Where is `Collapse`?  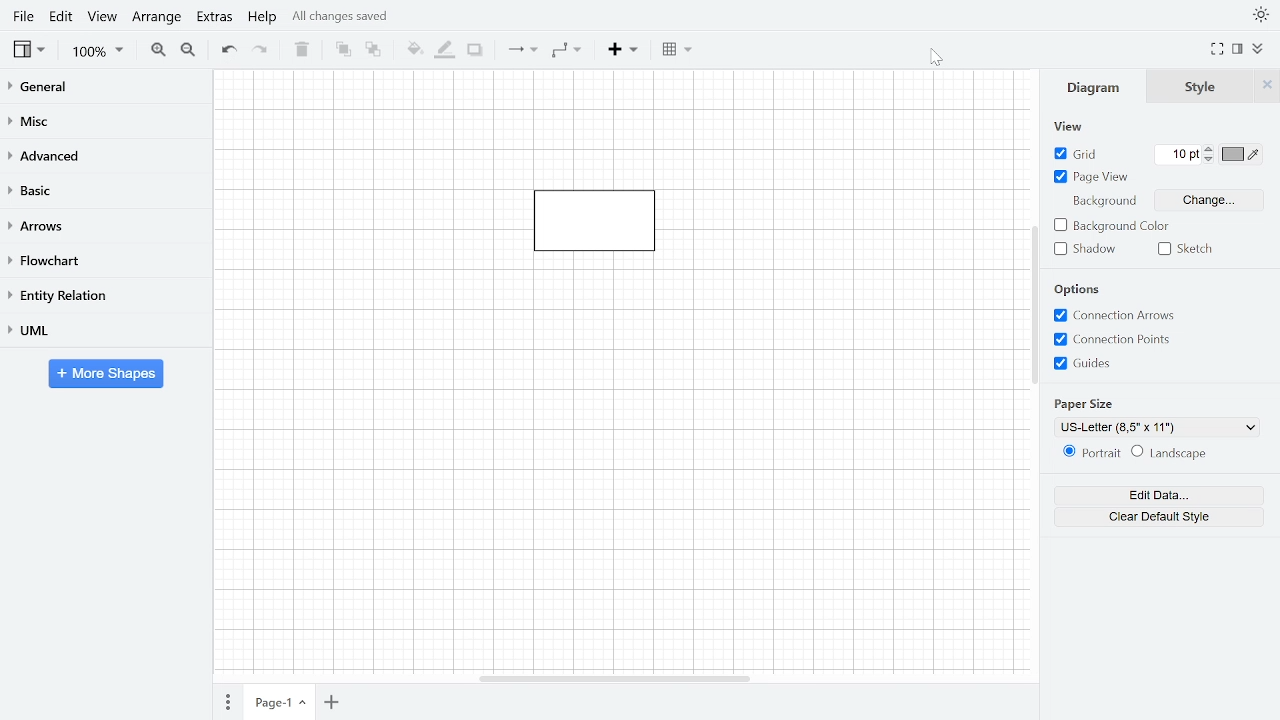 Collapse is located at coordinates (1258, 49).